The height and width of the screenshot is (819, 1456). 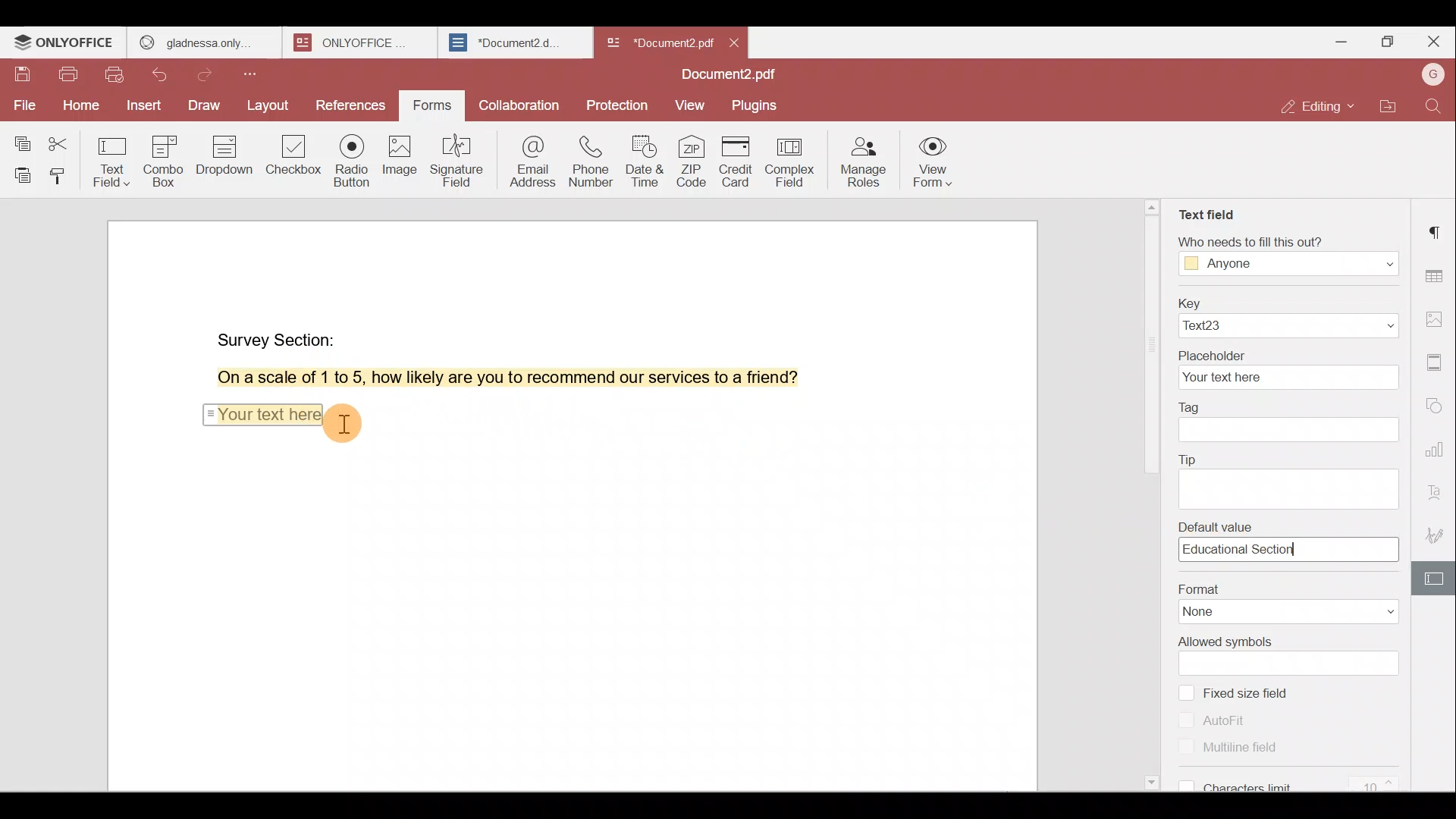 What do you see at coordinates (204, 42) in the screenshot?
I see `gladness only` at bounding box center [204, 42].